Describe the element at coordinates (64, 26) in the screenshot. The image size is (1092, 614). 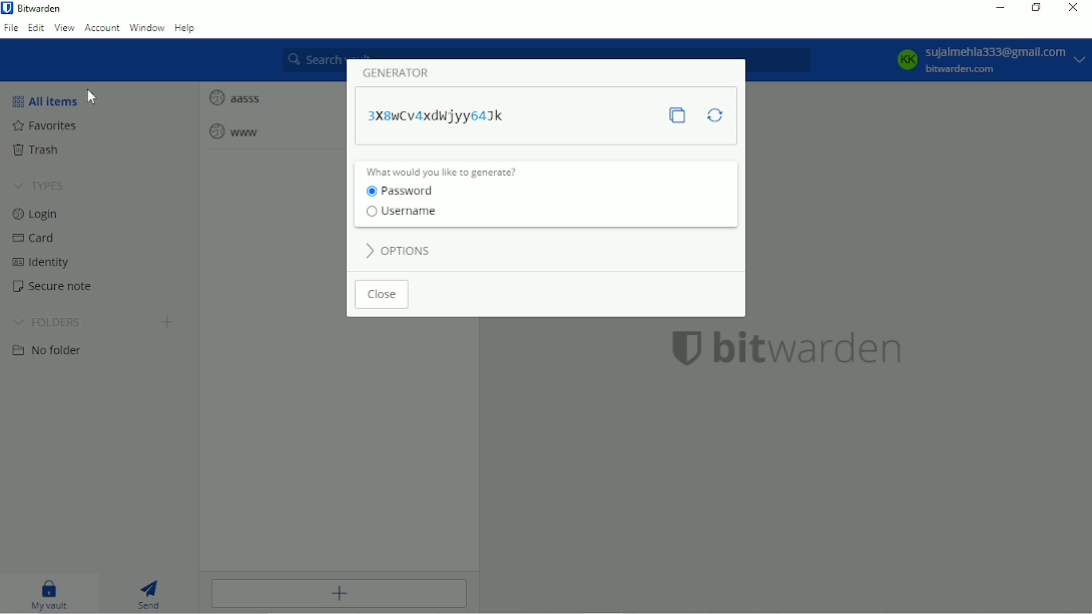
I see `View` at that location.